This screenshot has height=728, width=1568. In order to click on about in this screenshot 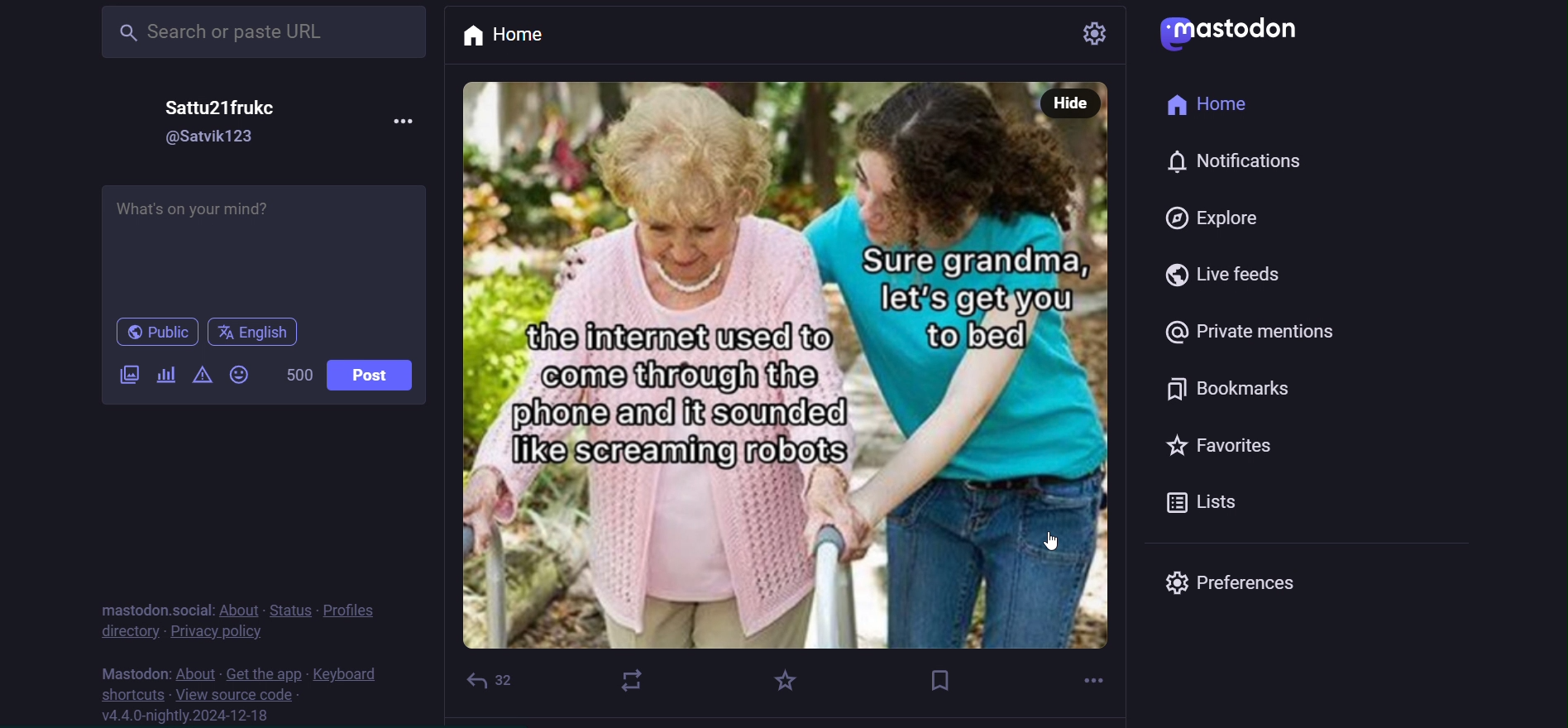, I will do `click(197, 673)`.